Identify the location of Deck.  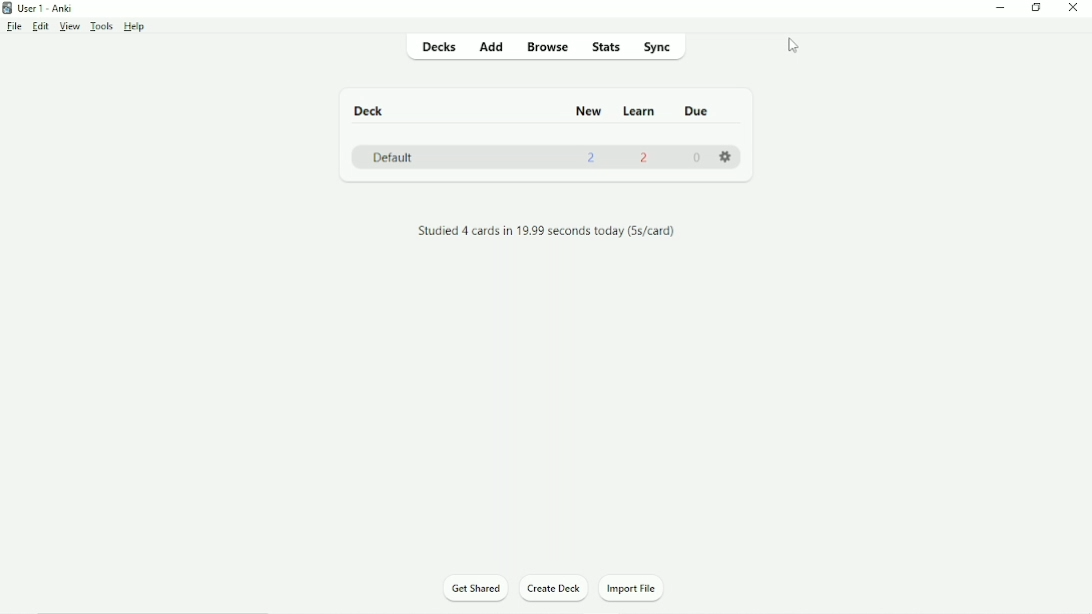
(371, 111).